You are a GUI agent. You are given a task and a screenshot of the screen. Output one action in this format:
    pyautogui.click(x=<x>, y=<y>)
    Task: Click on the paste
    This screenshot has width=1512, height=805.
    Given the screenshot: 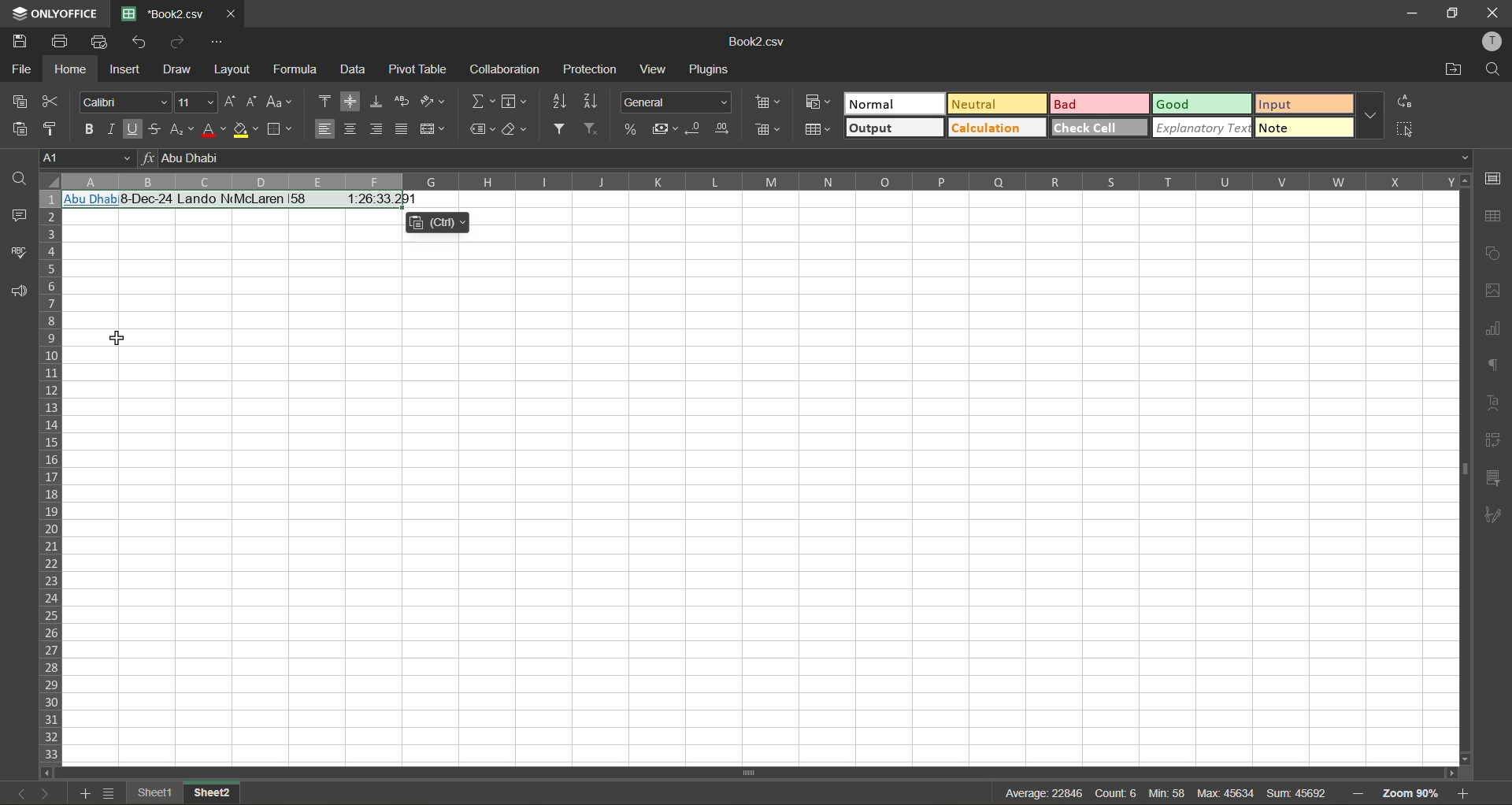 What is the action you would take?
    pyautogui.click(x=19, y=128)
    